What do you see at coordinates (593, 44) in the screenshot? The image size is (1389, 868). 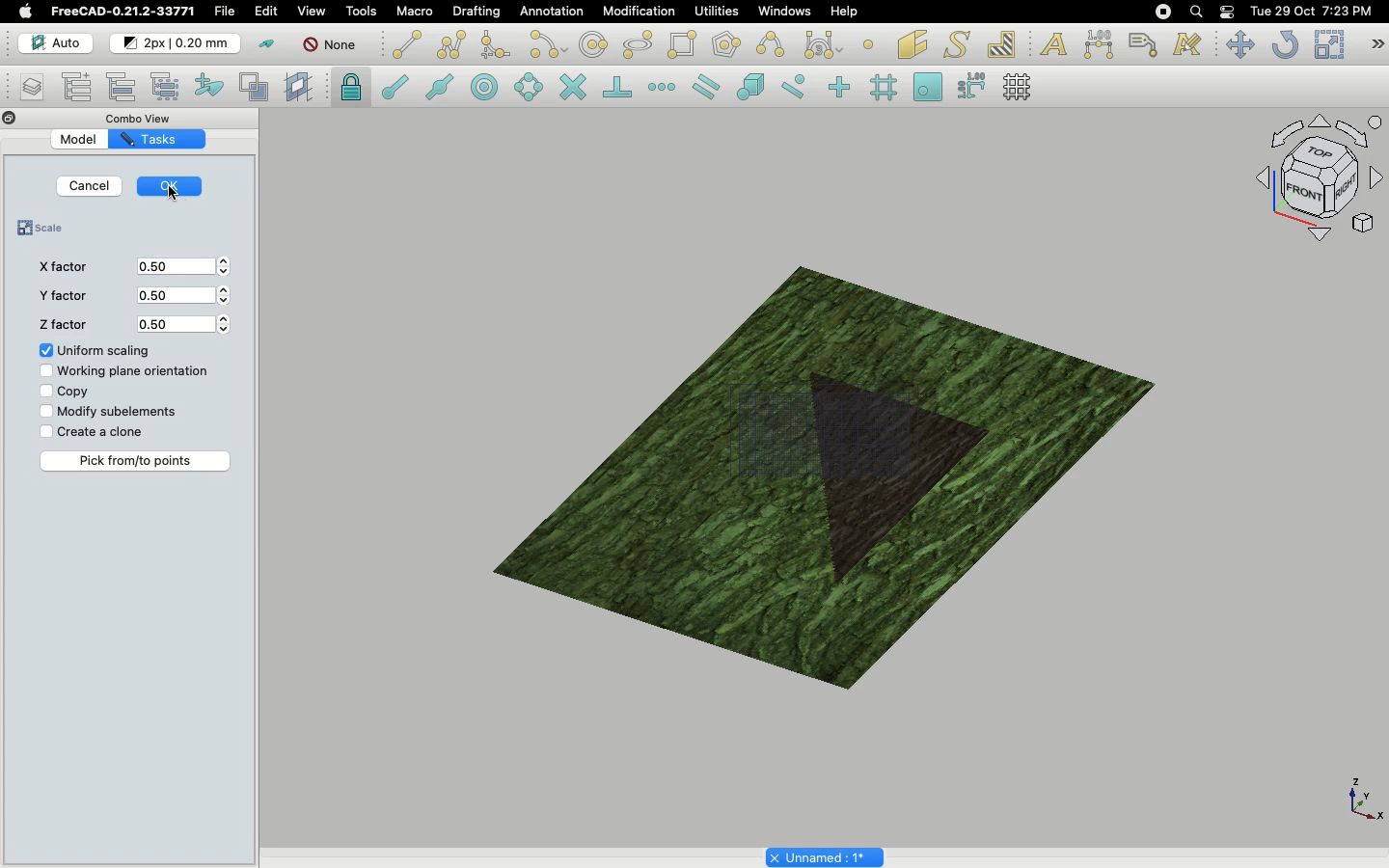 I see `Circle` at bounding box center [593, 44].